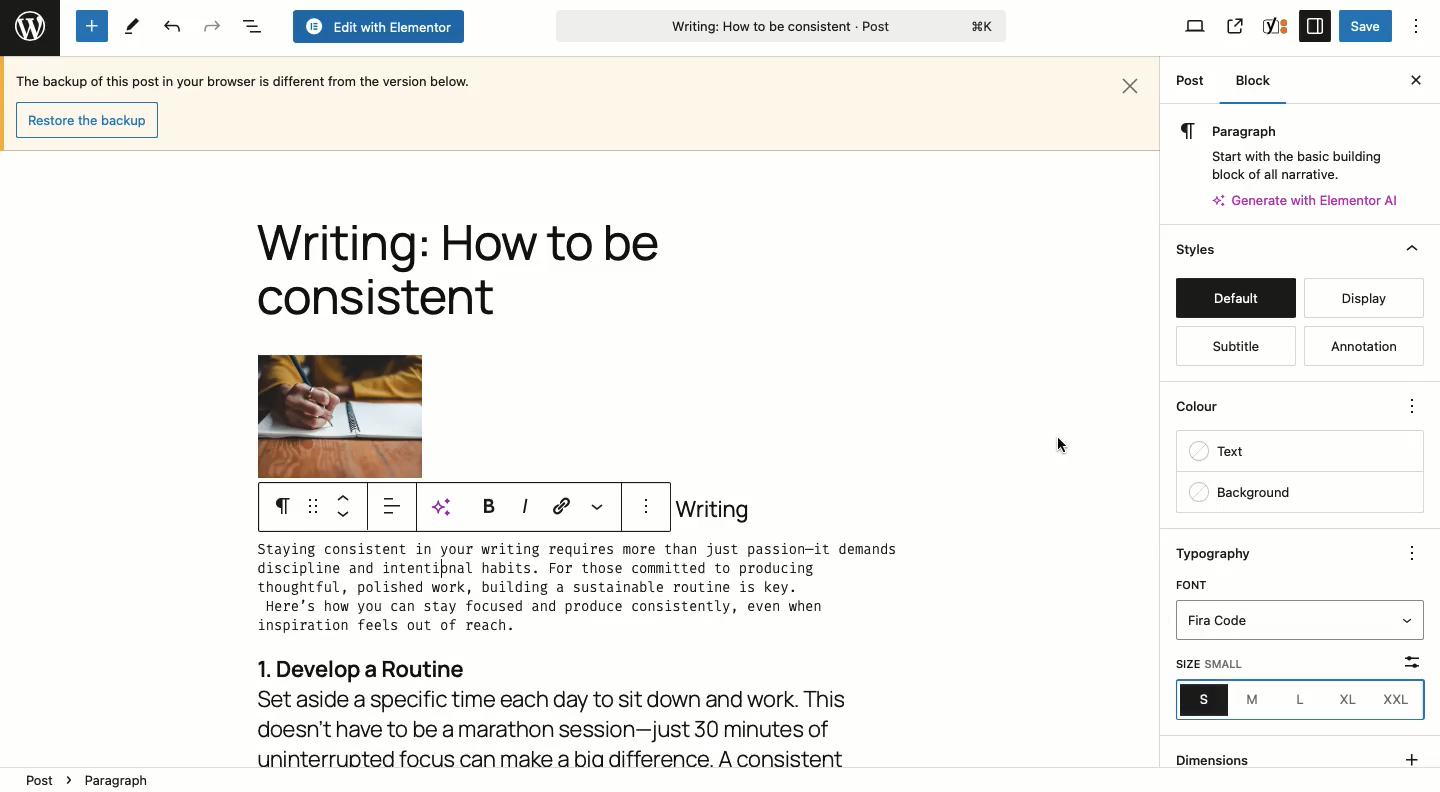 This screenshot has height=792, width=1440. Describe the element at coordinates (1406, 251) in the screenshot. I see `Close` at that location.